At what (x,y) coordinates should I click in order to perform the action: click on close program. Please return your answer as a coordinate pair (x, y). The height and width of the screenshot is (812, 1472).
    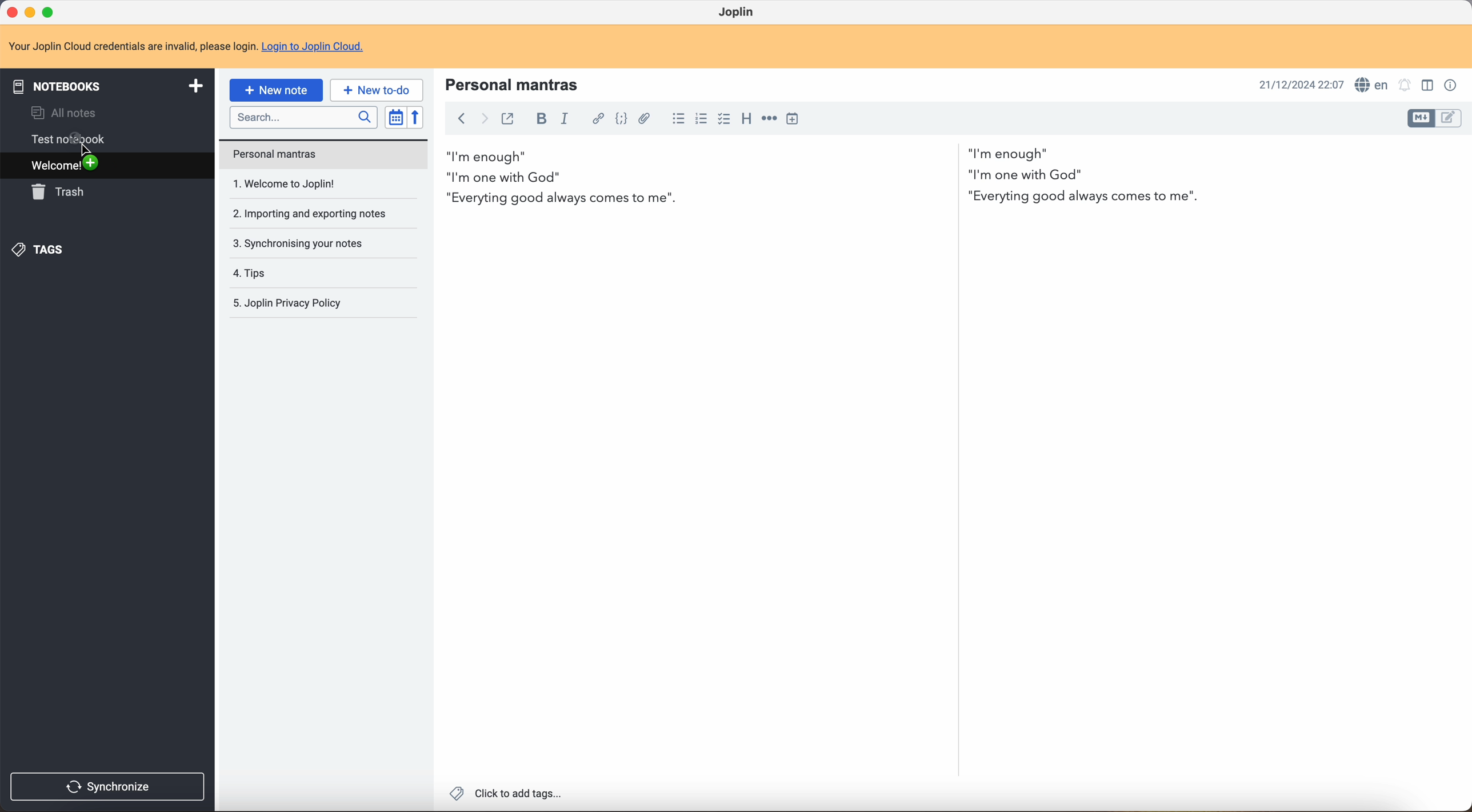
    Looking at the image, I should click on (10, 12).